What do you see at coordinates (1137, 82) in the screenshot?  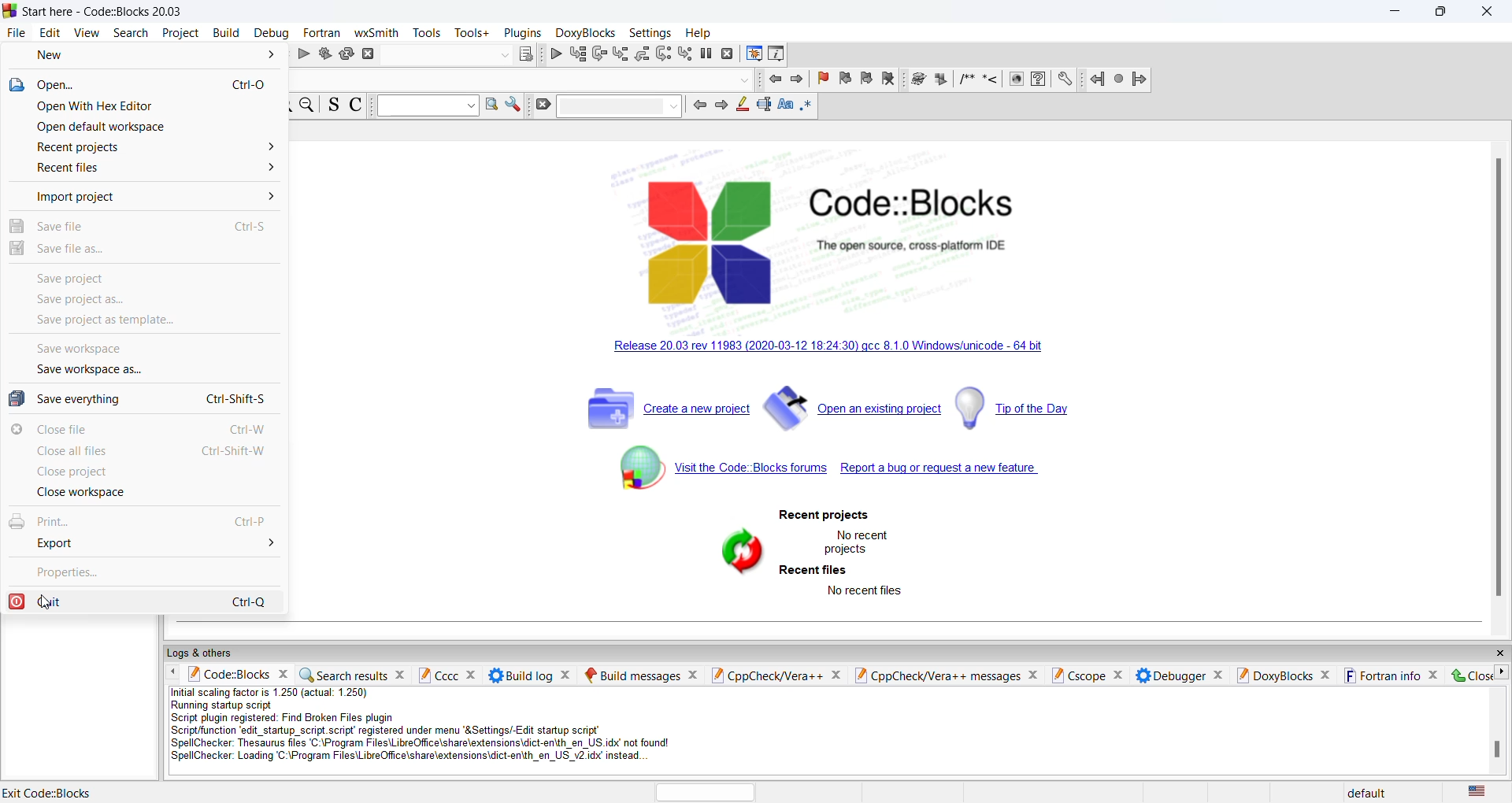 I see `jump forward` at bounding box center [1137, 82].